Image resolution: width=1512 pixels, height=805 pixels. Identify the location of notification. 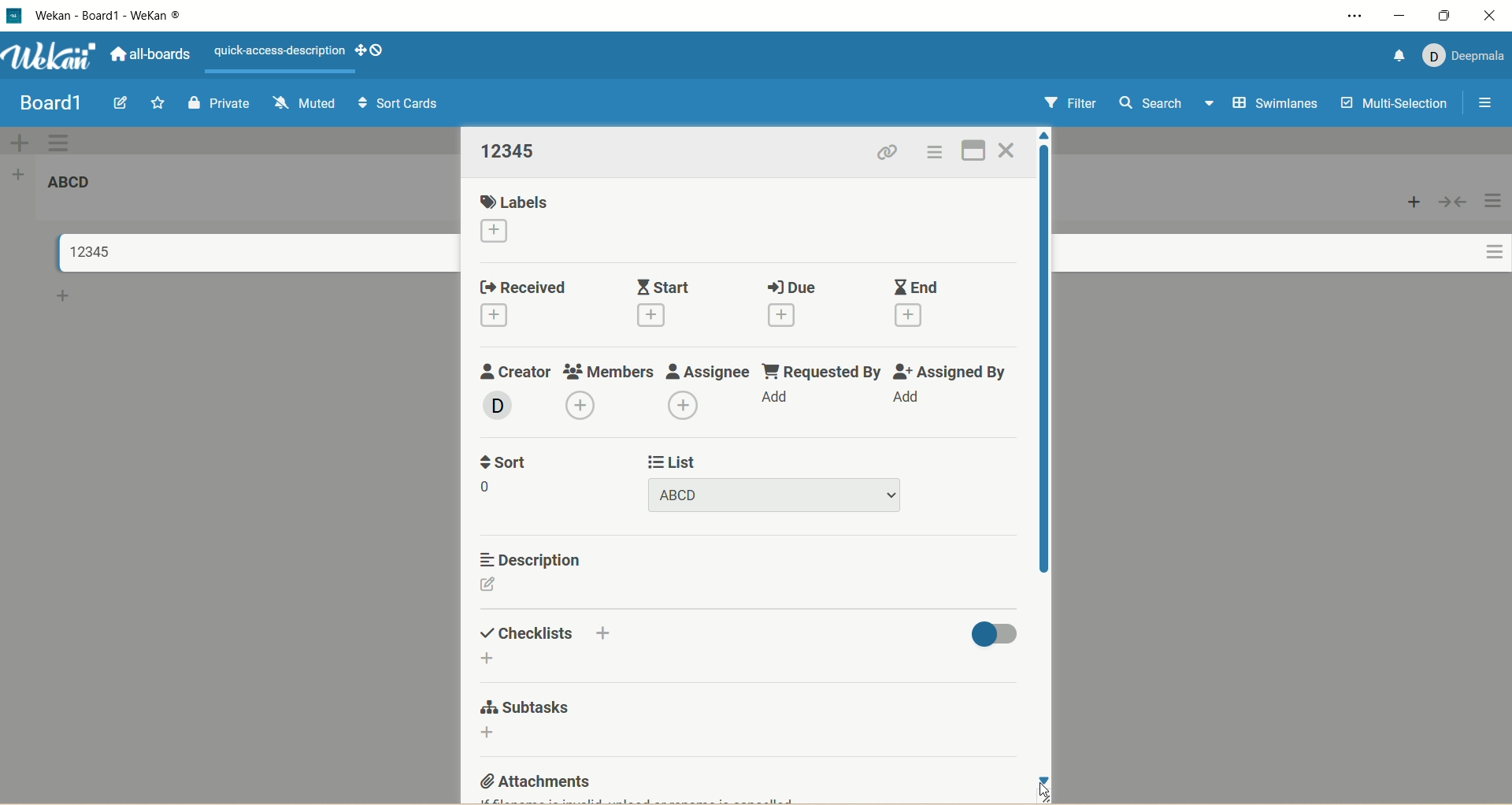
(1393, 54).